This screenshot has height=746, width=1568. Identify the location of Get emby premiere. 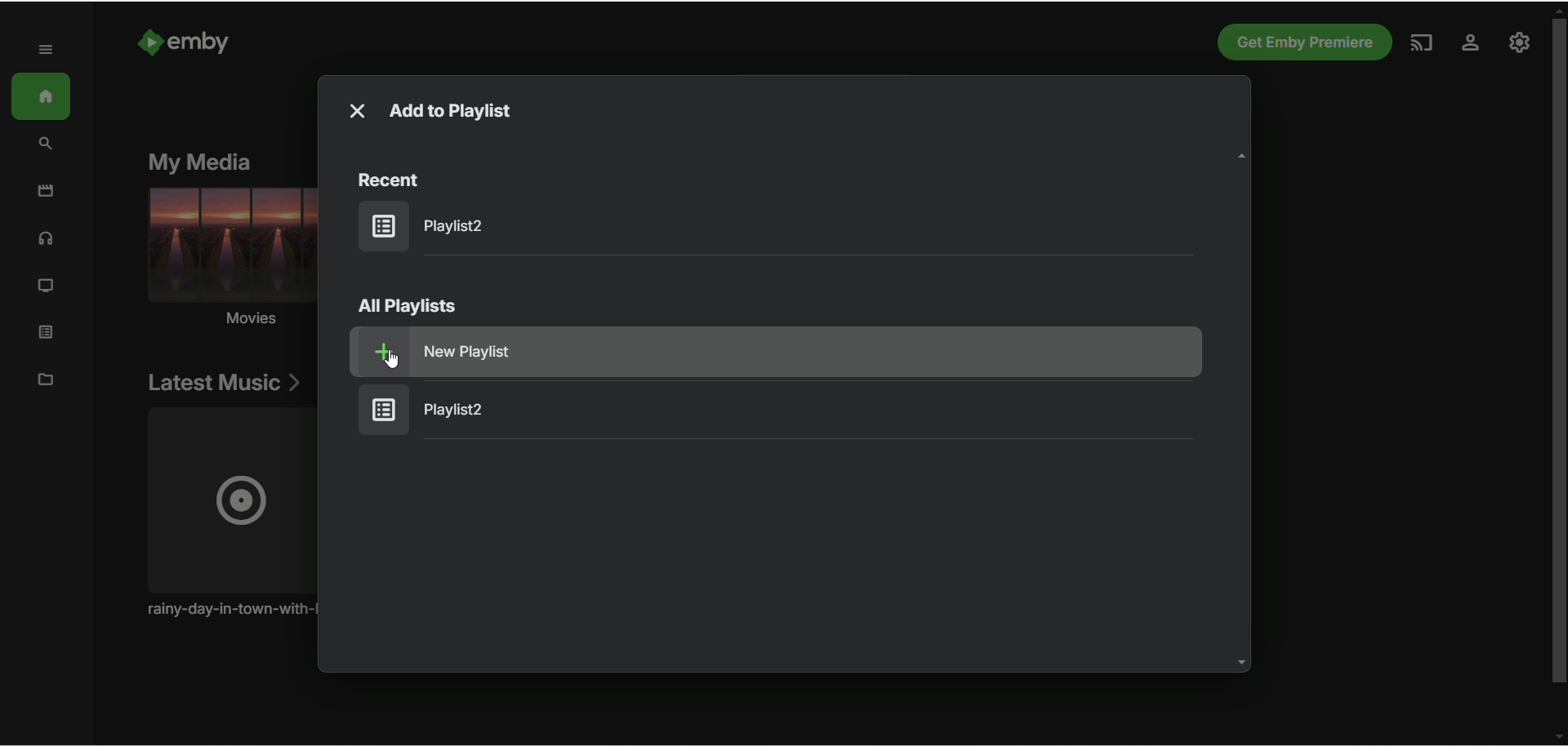
(1303, 42).